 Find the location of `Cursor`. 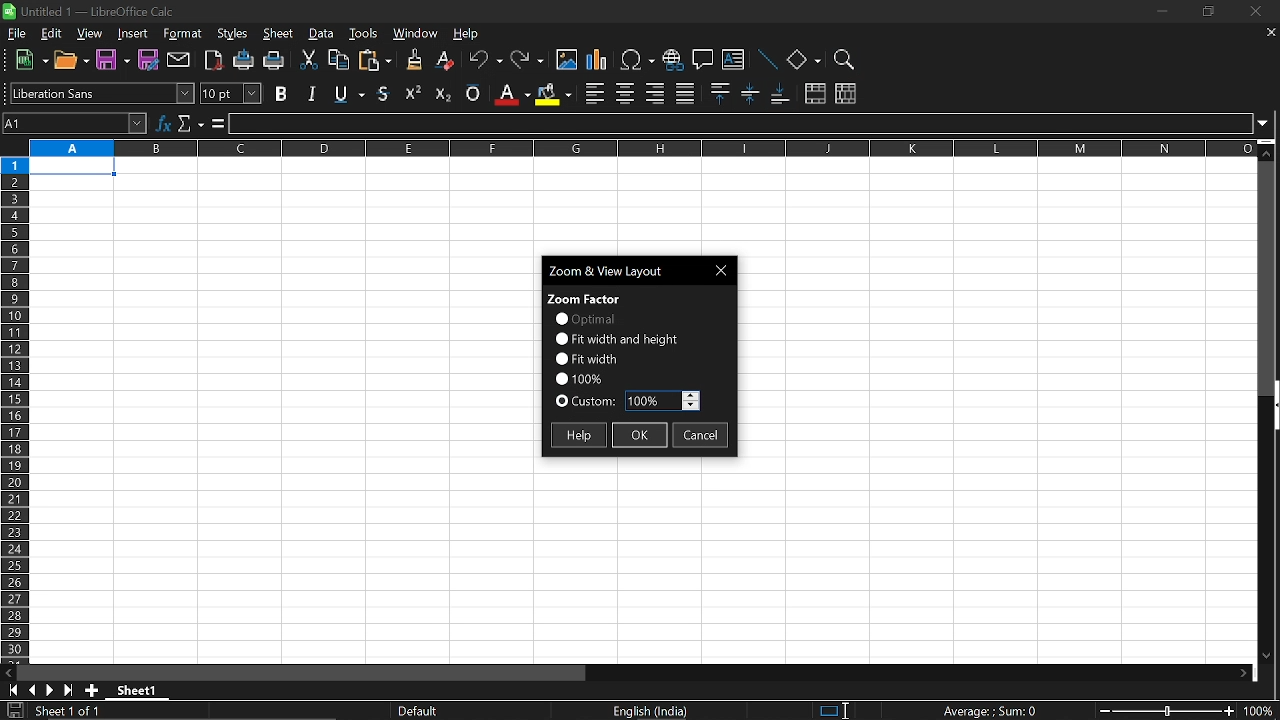

Cursor is located at coordinates (851, 708).